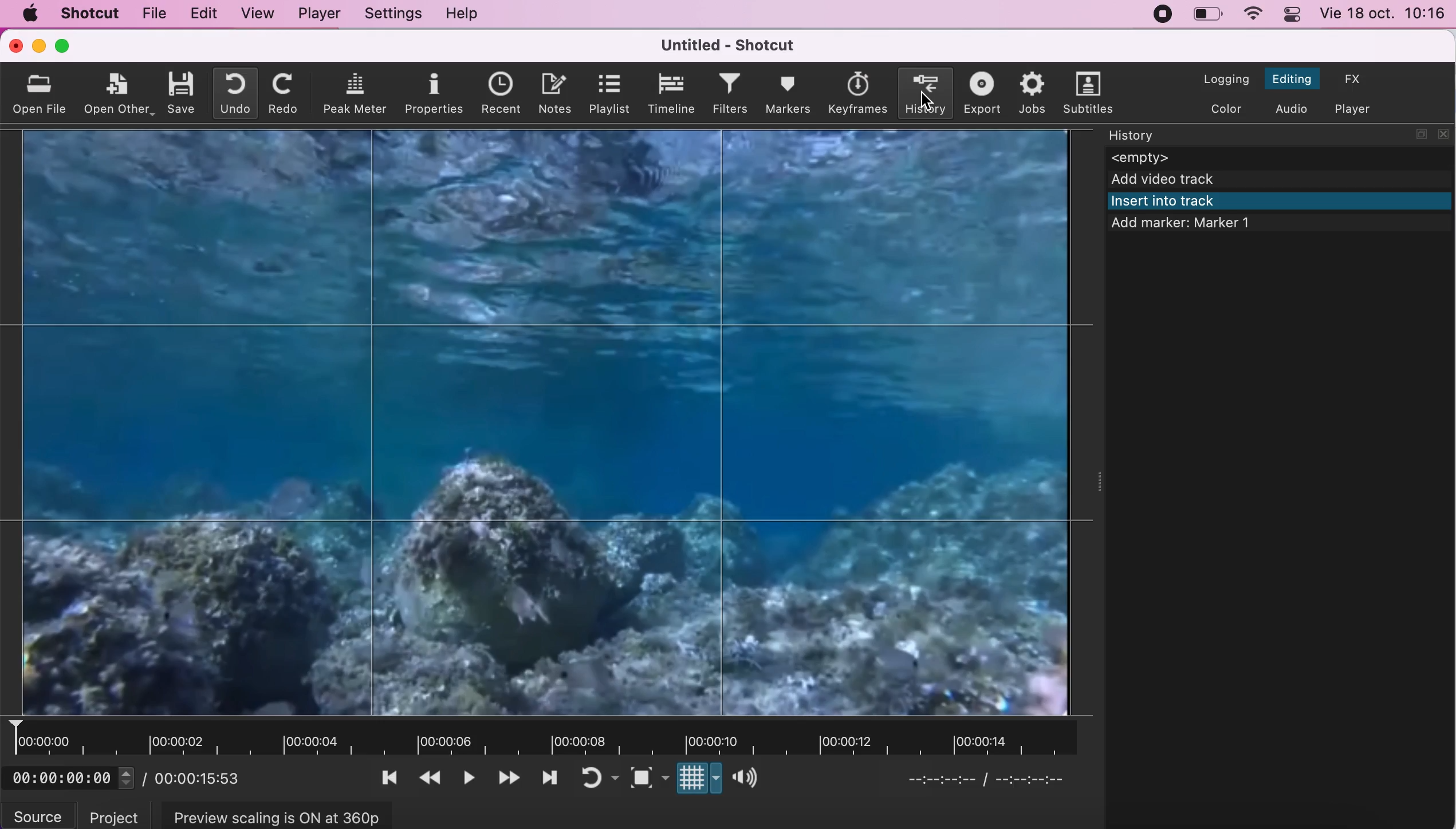 The image size is (1456, 829). Describe the element at coordinates (1292, 15) in the screenshot. I see `panel control` at that location.